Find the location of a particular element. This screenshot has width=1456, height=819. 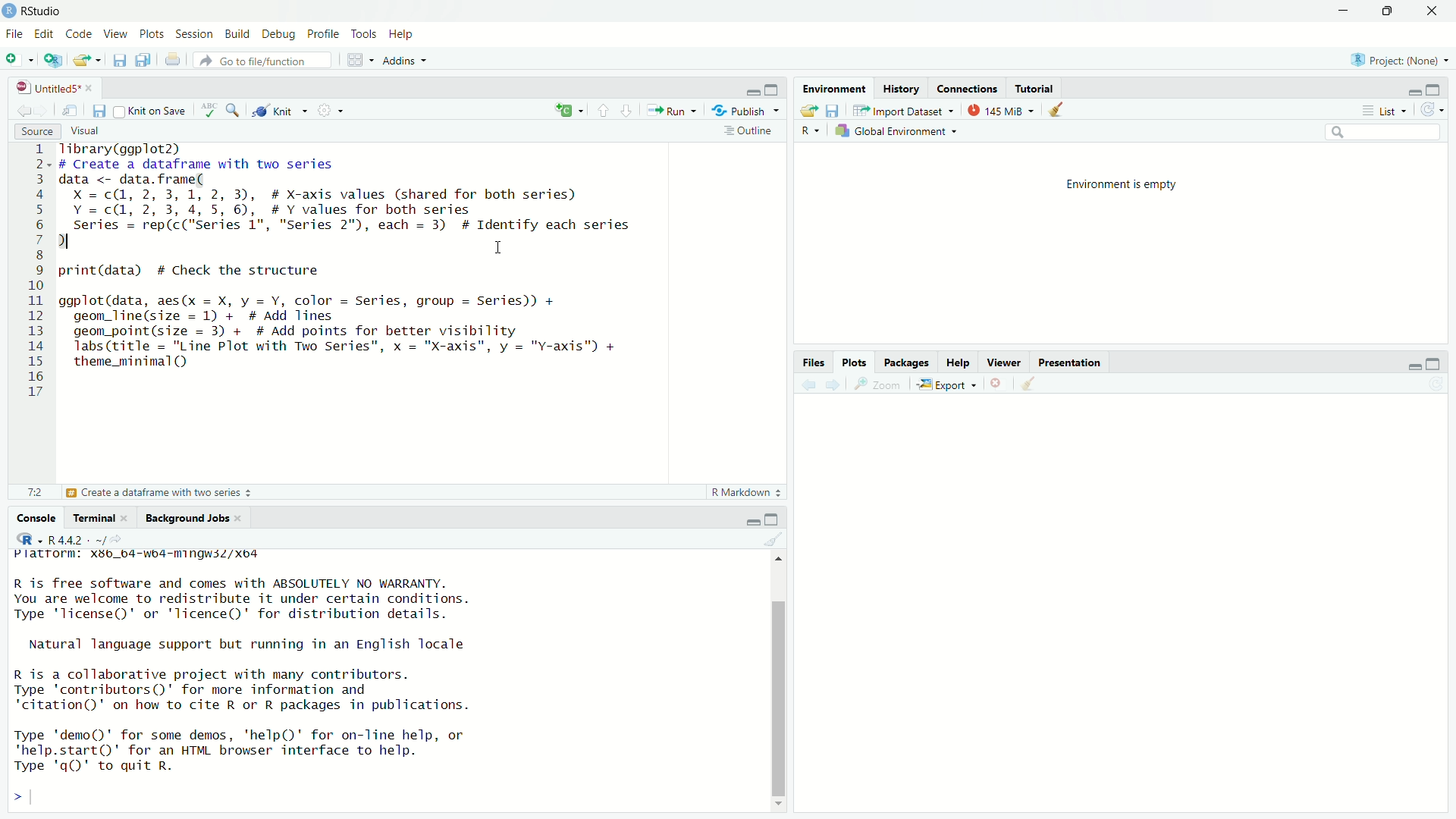

17:1 is located at coordinates (33, 492).